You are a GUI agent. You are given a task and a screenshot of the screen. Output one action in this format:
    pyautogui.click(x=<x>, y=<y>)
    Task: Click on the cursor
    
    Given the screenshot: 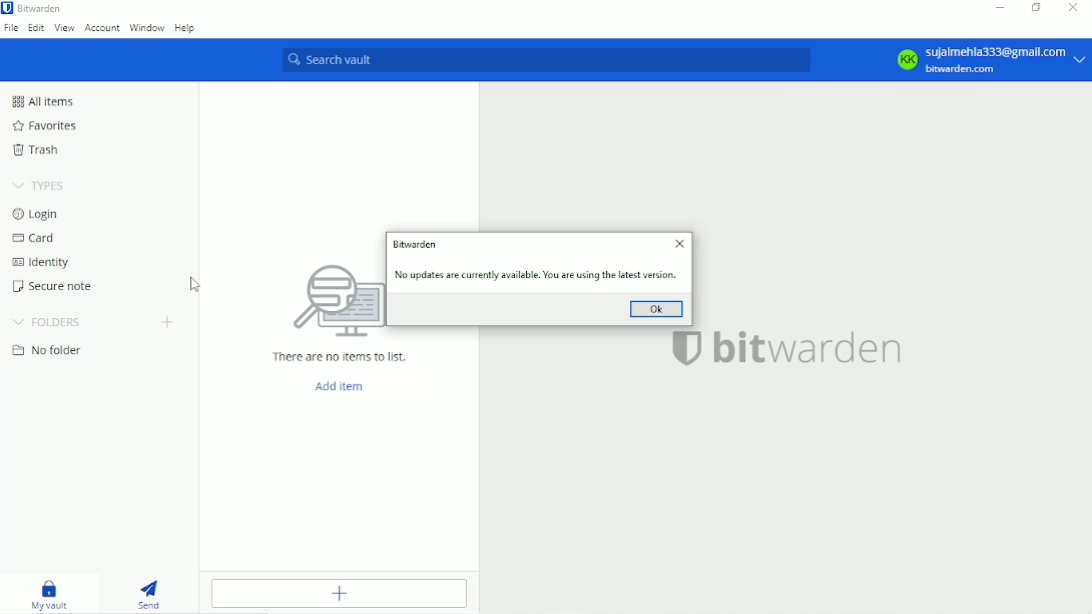 What is the action you would take?
    pyautogui.click(x=194, y=281)
    